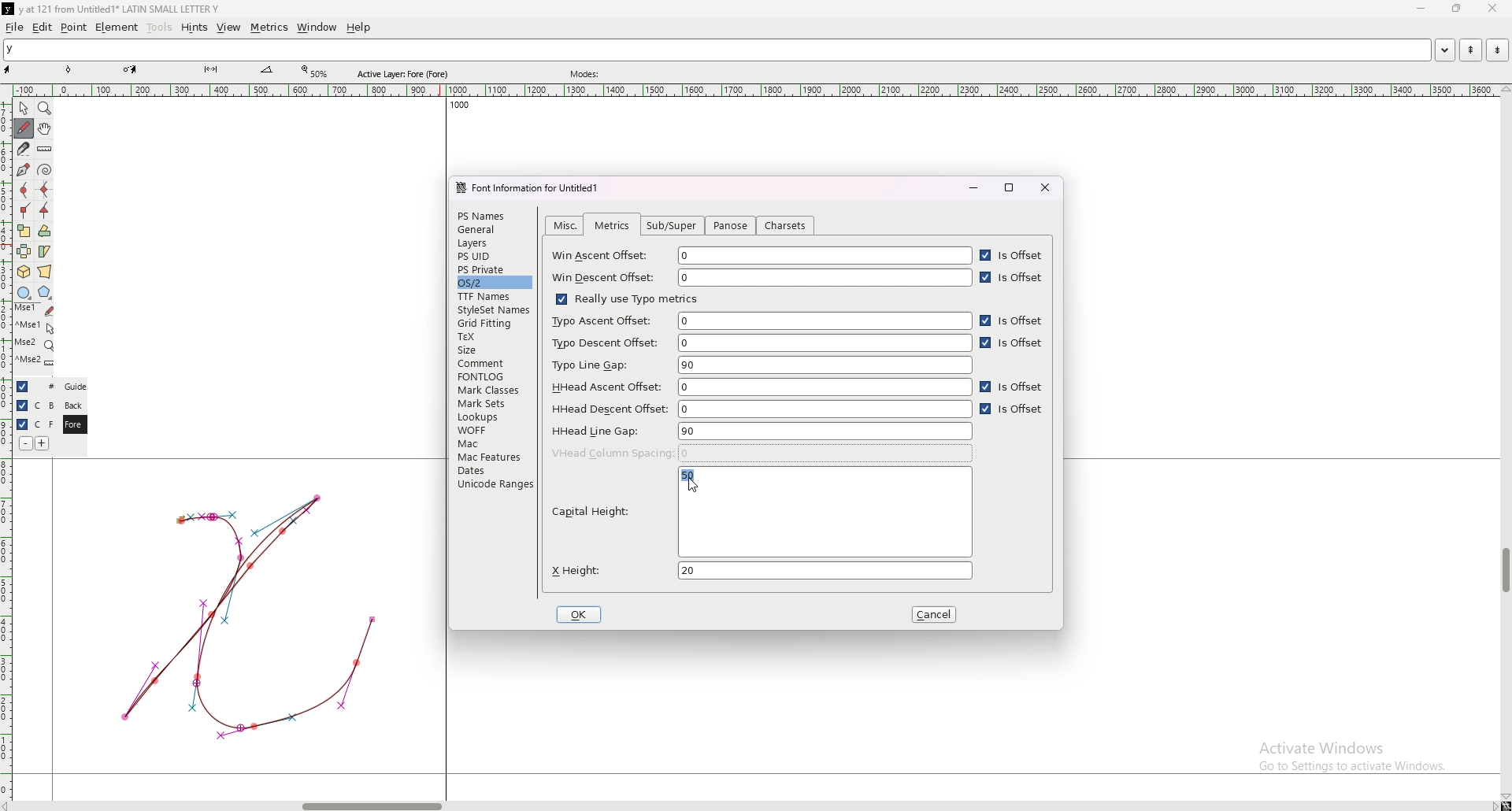 This screenshot has width=1512, height=811. I want to click on open word list, so click(1444, 50).